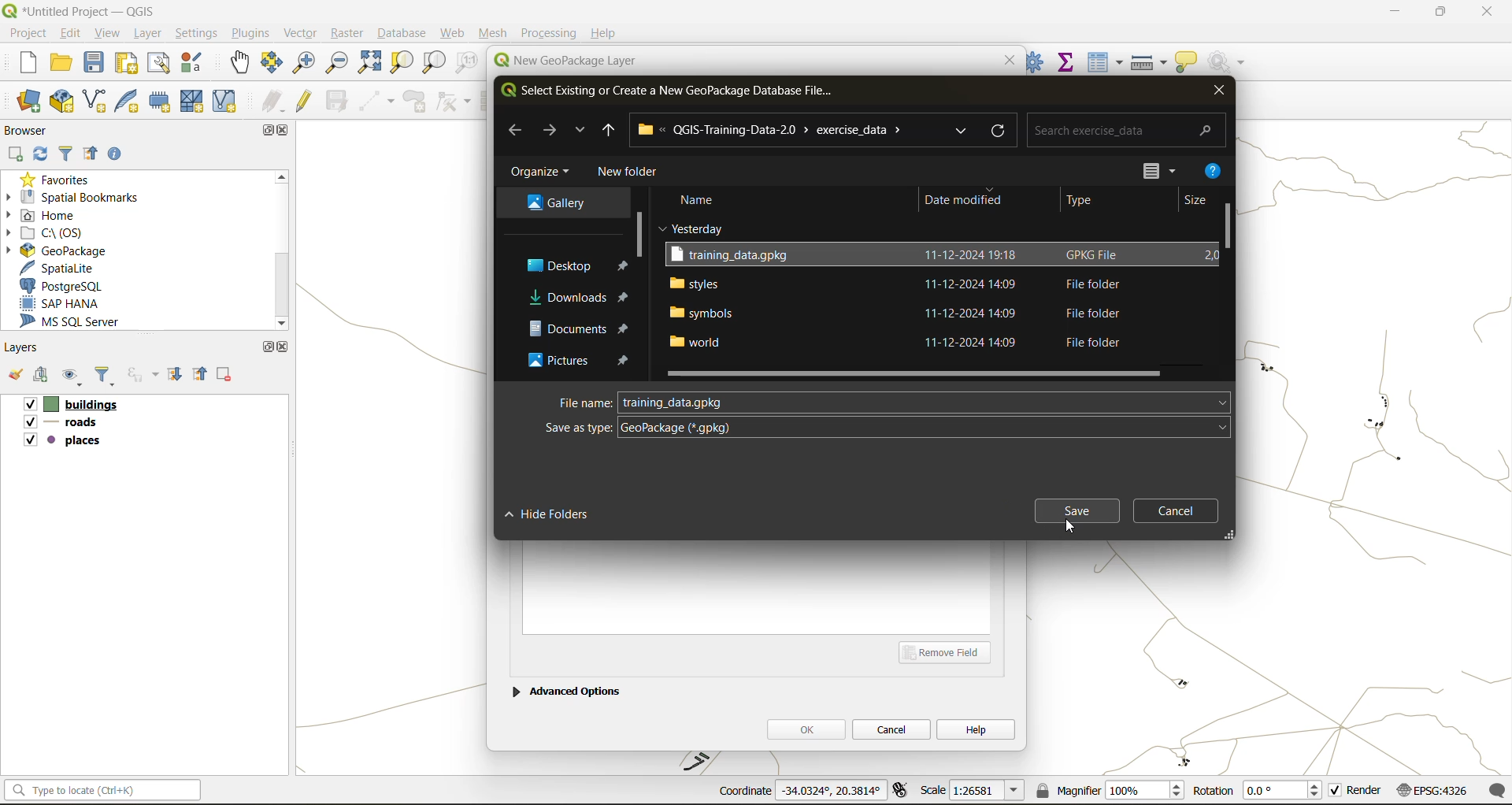  What do you see at coordinates (495, 33) in the screenshot?
I see `mesh` at bounding box center [495, 33].